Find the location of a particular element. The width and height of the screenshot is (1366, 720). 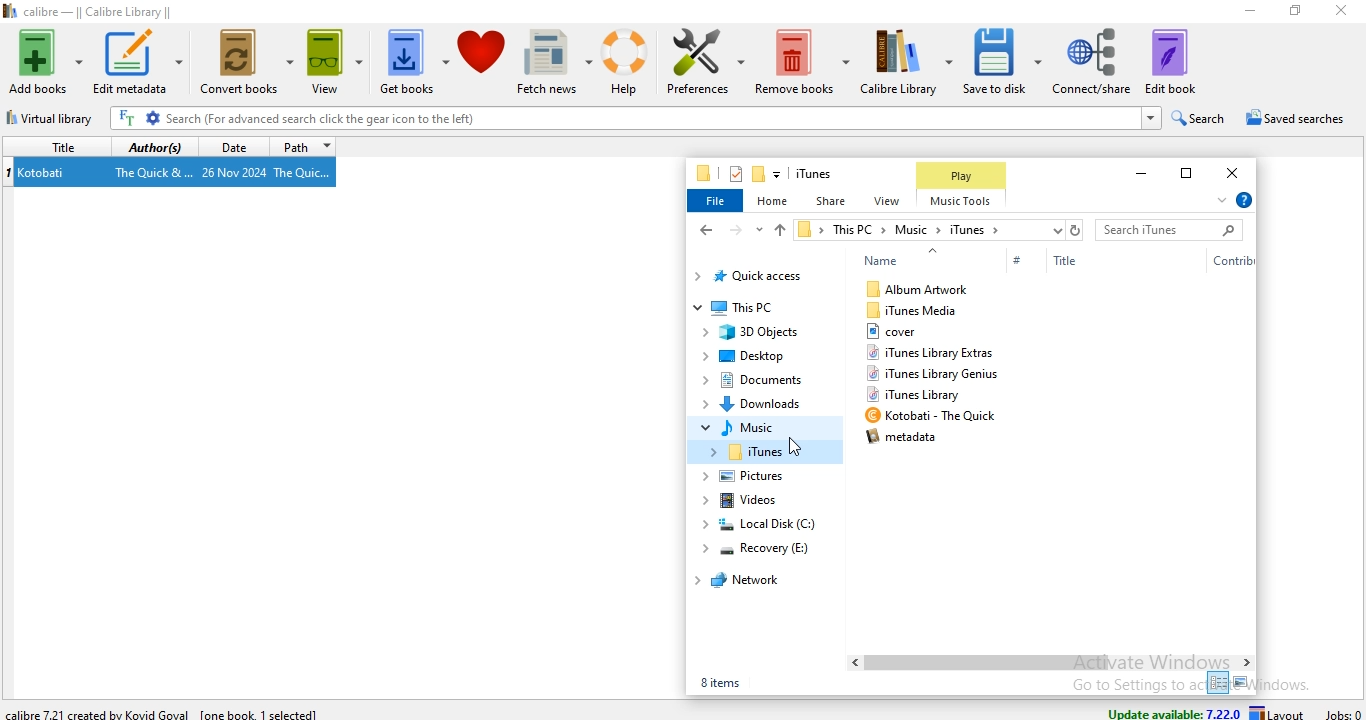

layout is located at coordinates (1281, 712).